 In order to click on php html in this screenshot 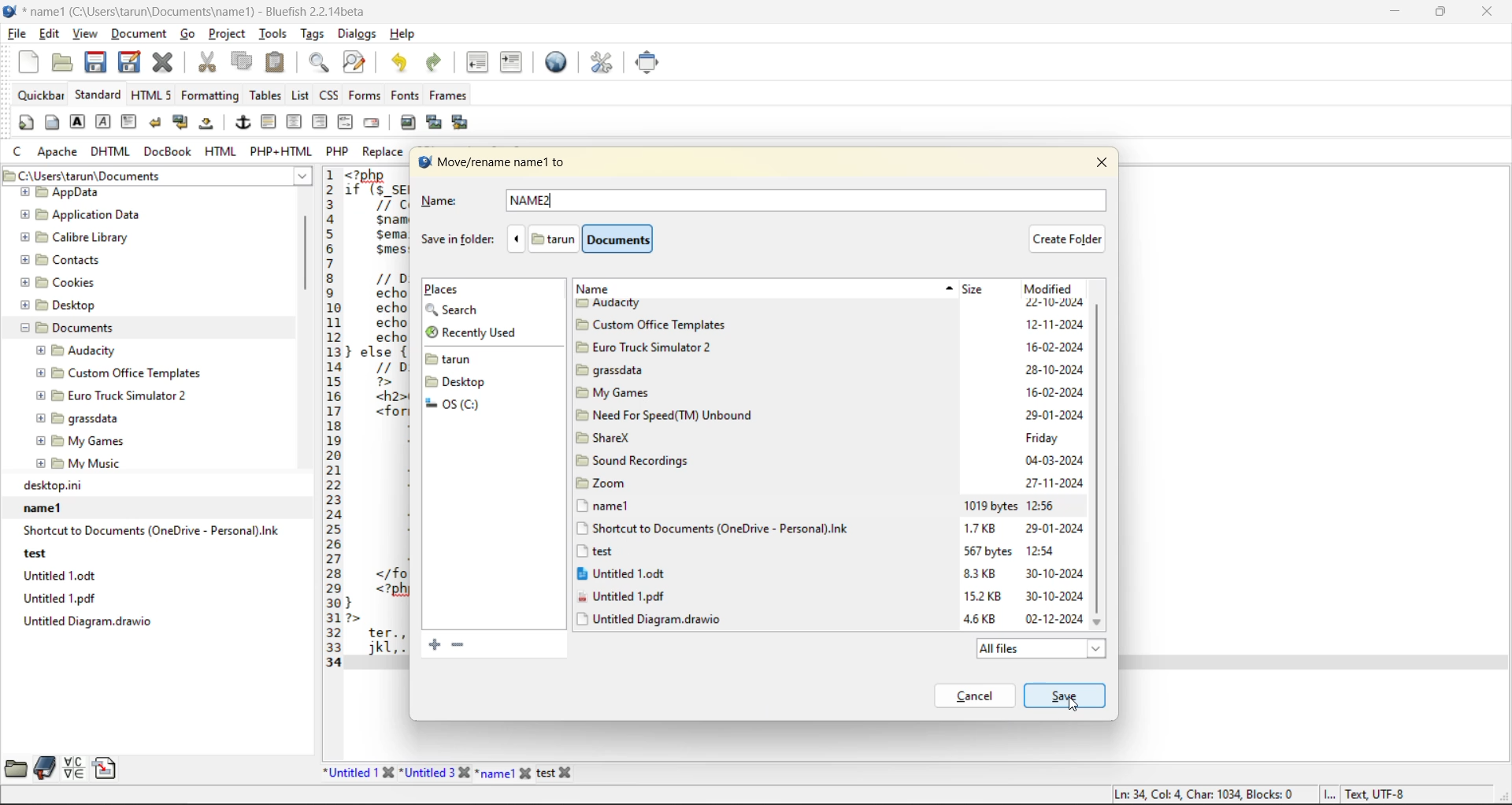, I will do `click(278, 150)`.